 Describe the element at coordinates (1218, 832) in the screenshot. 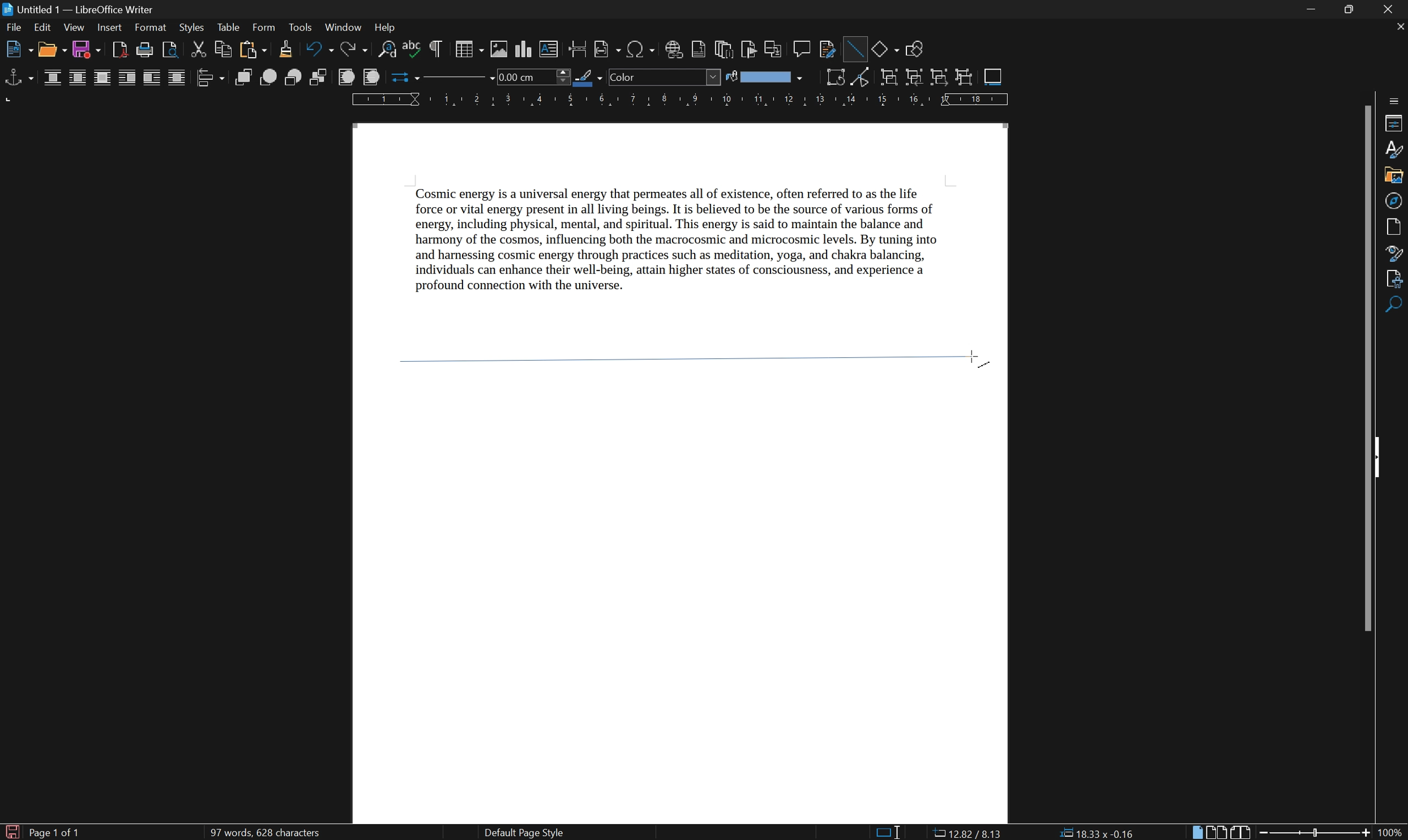

I see `multi-page view` at that location.